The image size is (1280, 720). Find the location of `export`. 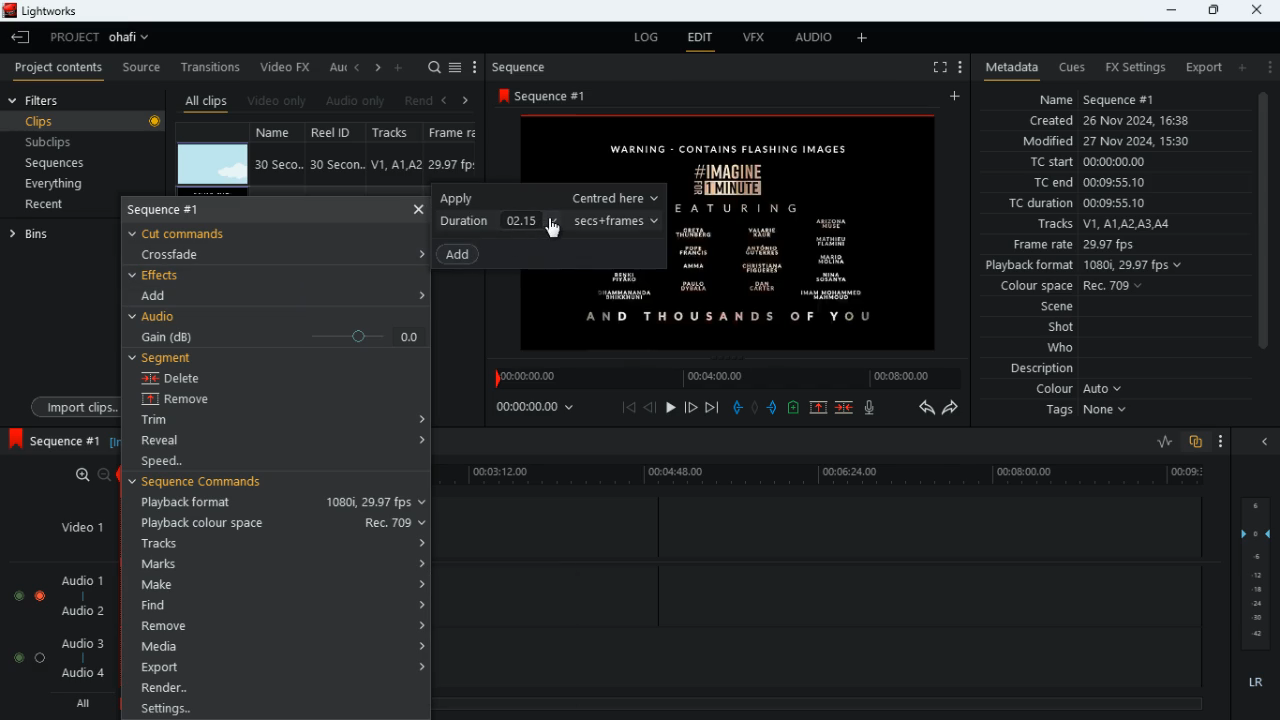

export is located at coordinates (281, 667).